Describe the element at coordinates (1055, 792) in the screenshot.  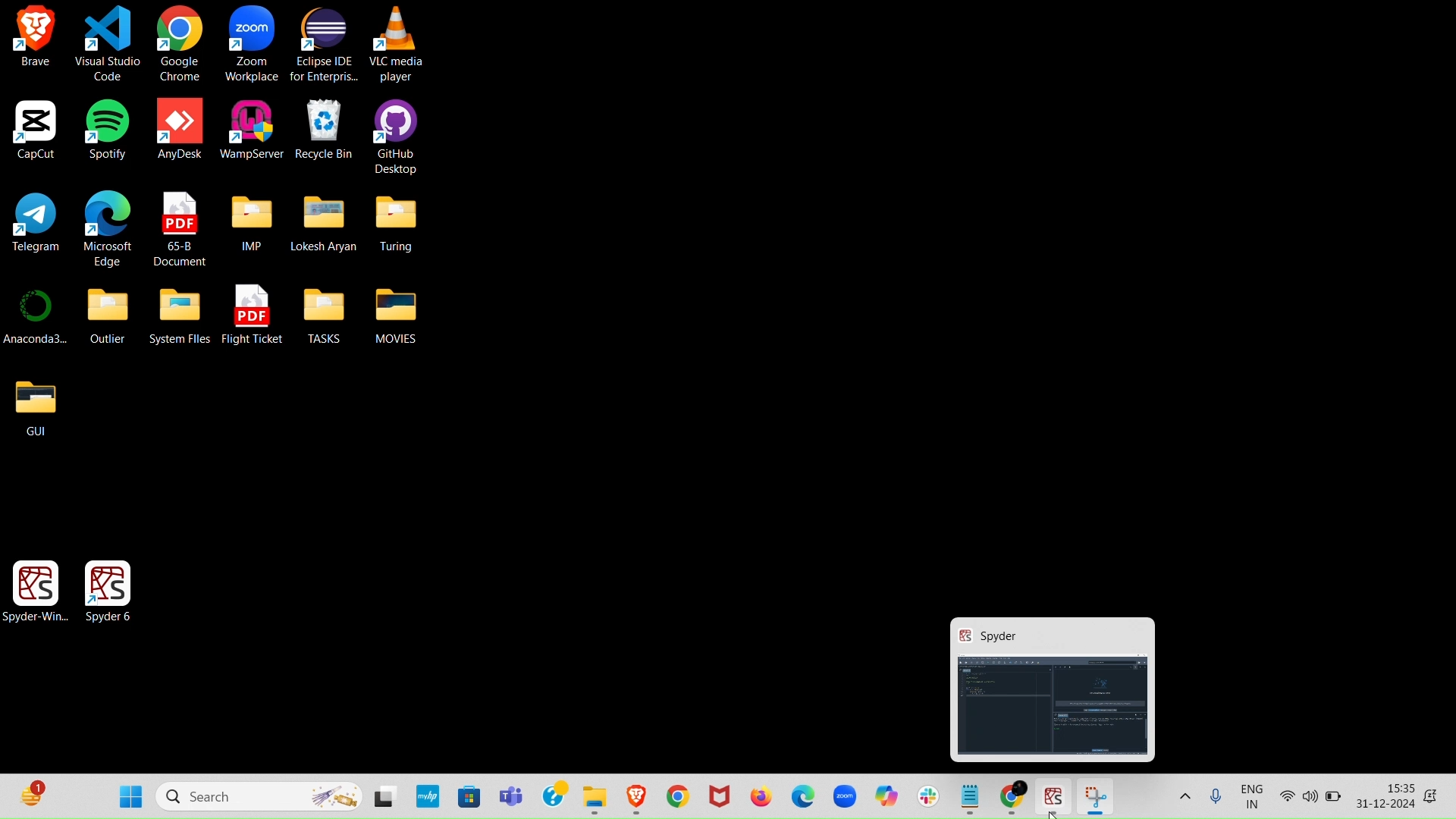
I see `Spyder IDE` at that location.